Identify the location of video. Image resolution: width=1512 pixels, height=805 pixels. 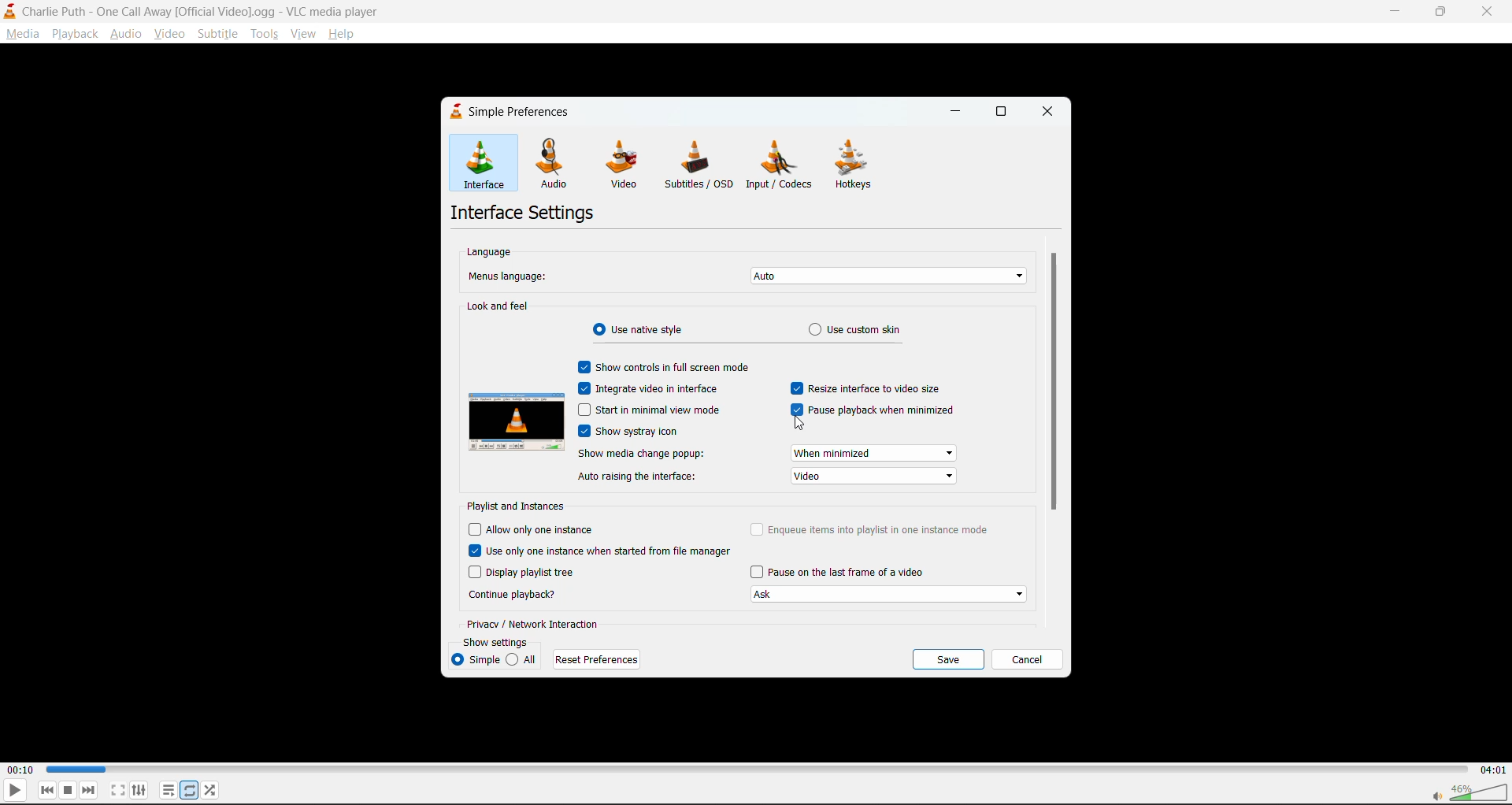
(870, 474).